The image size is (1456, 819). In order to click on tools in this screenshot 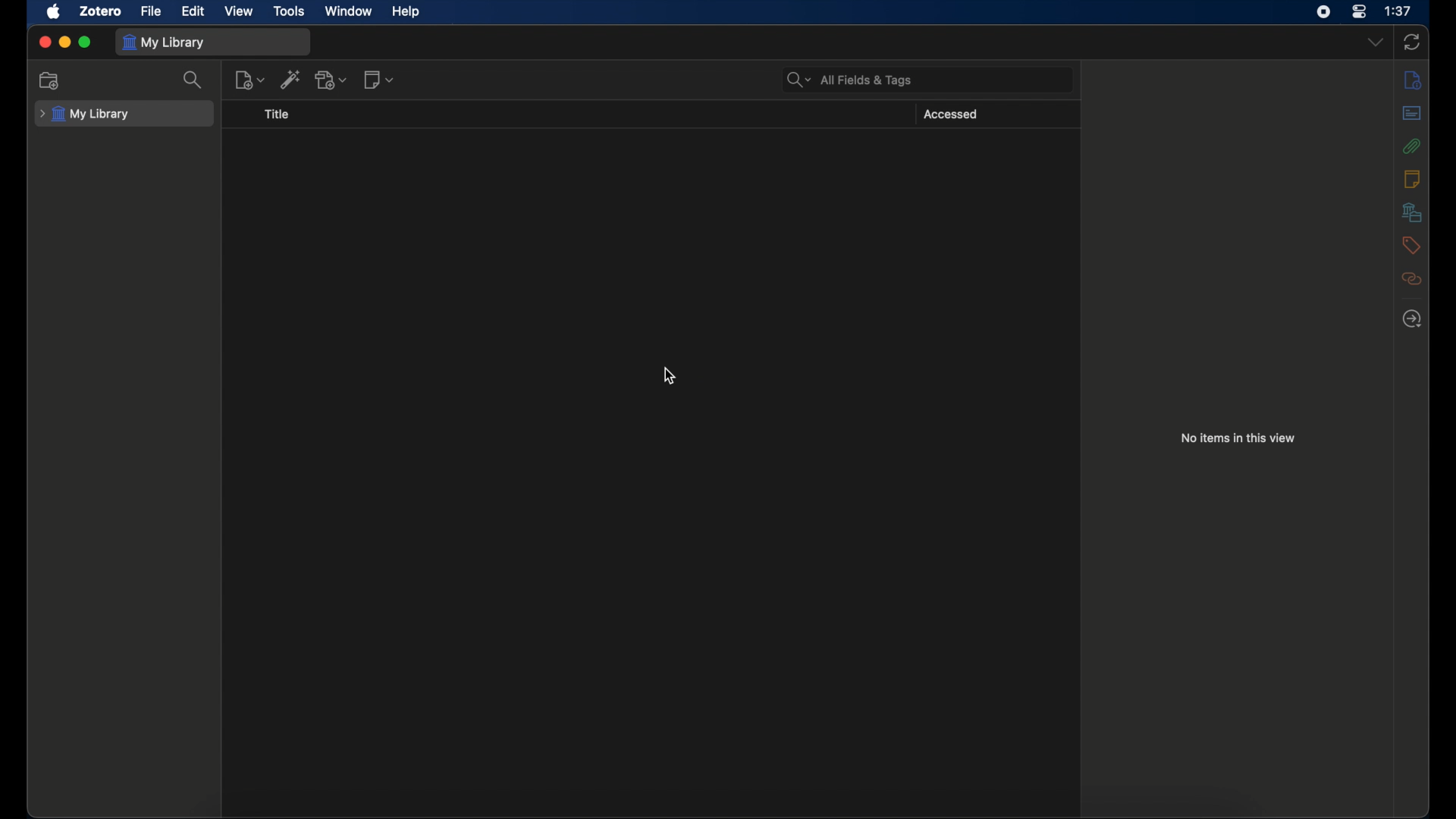, I will do `click(290, 11)`.